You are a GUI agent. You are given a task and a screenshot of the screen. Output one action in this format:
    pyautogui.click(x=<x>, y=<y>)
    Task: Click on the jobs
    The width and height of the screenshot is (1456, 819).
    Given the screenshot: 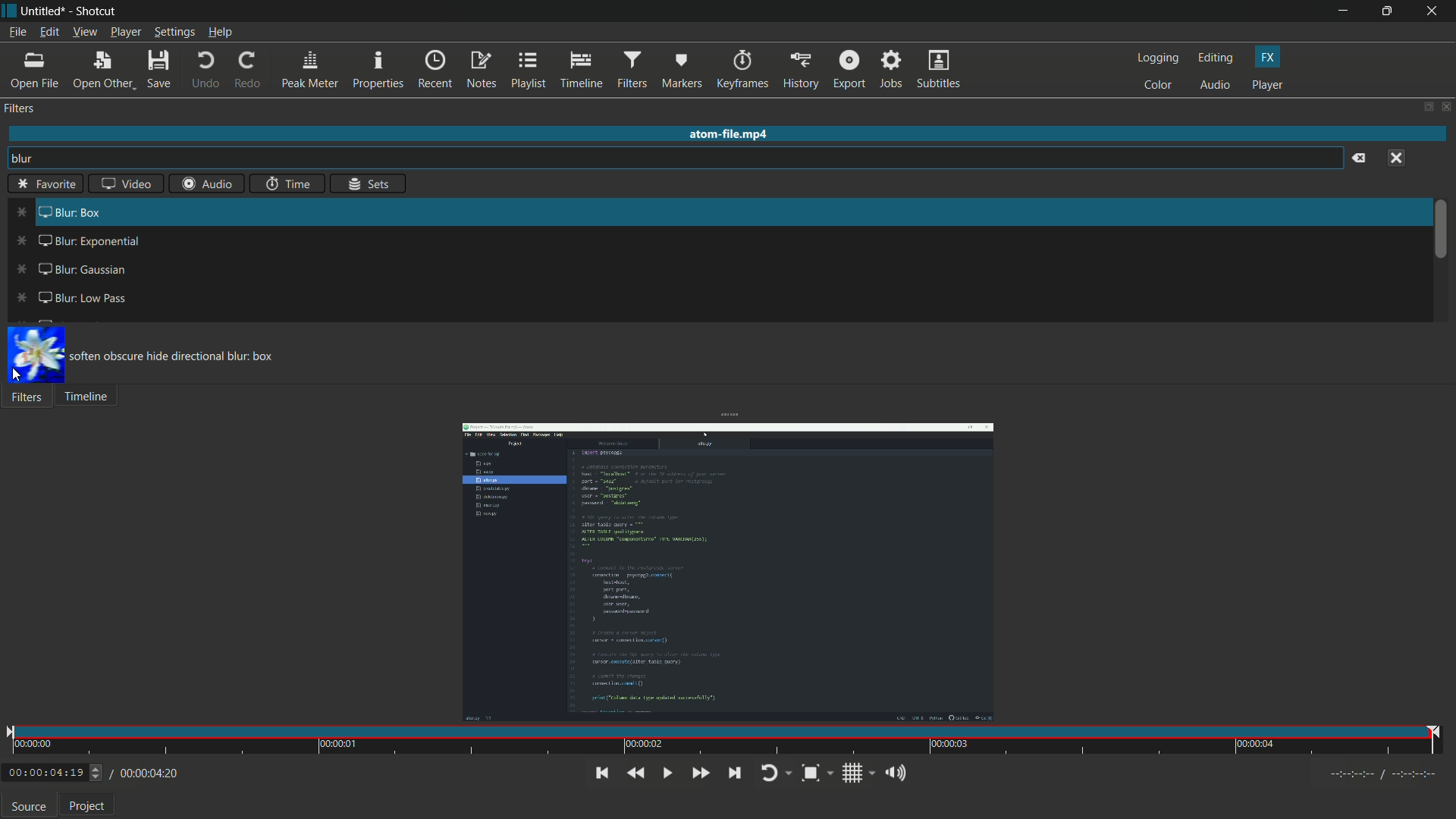 What is the action you would take?
    pyautogui.click(x=888, y=71)
    